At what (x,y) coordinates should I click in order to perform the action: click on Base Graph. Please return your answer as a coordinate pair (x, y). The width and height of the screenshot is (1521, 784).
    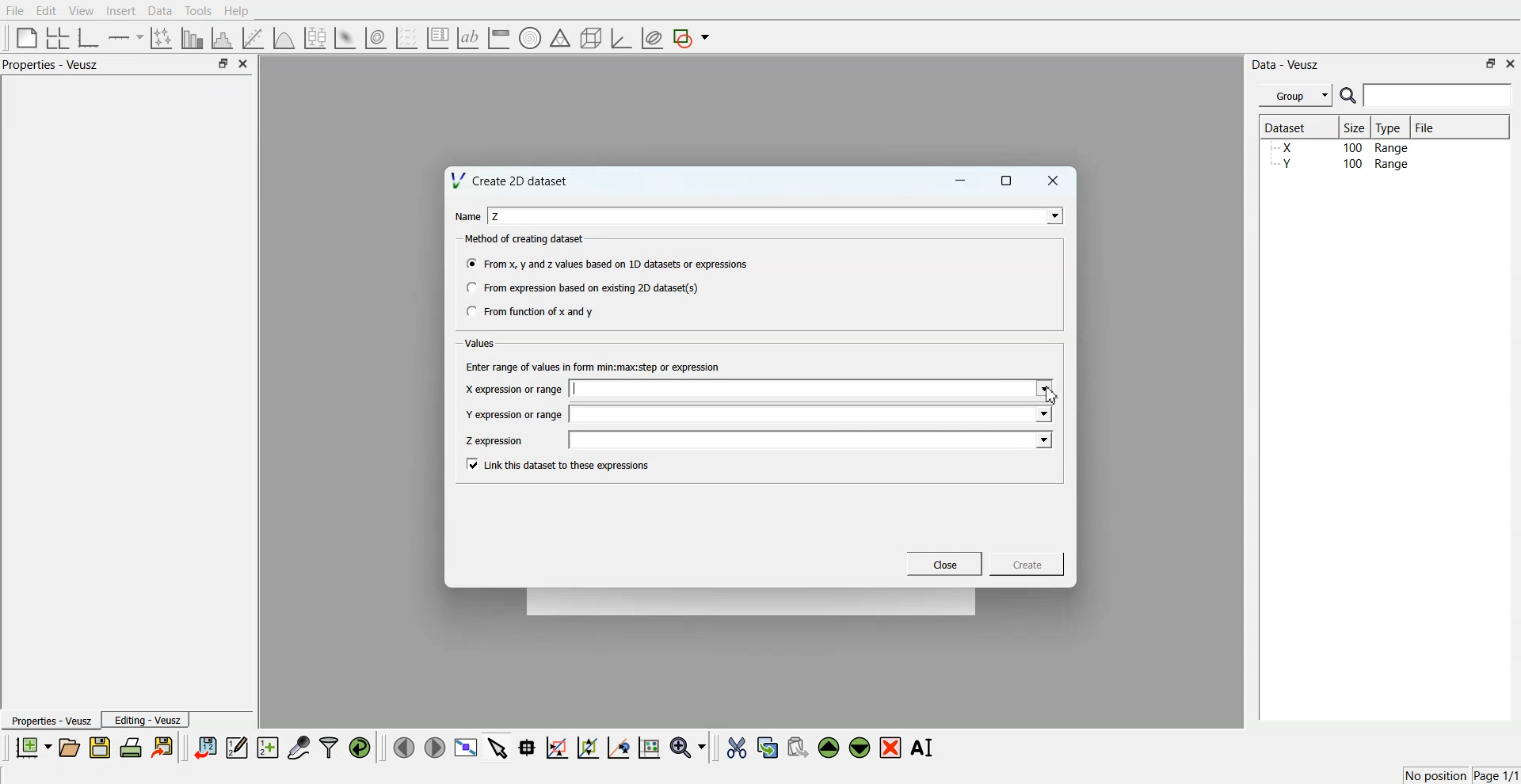
    Looking at the image, I should click on (89, 38).